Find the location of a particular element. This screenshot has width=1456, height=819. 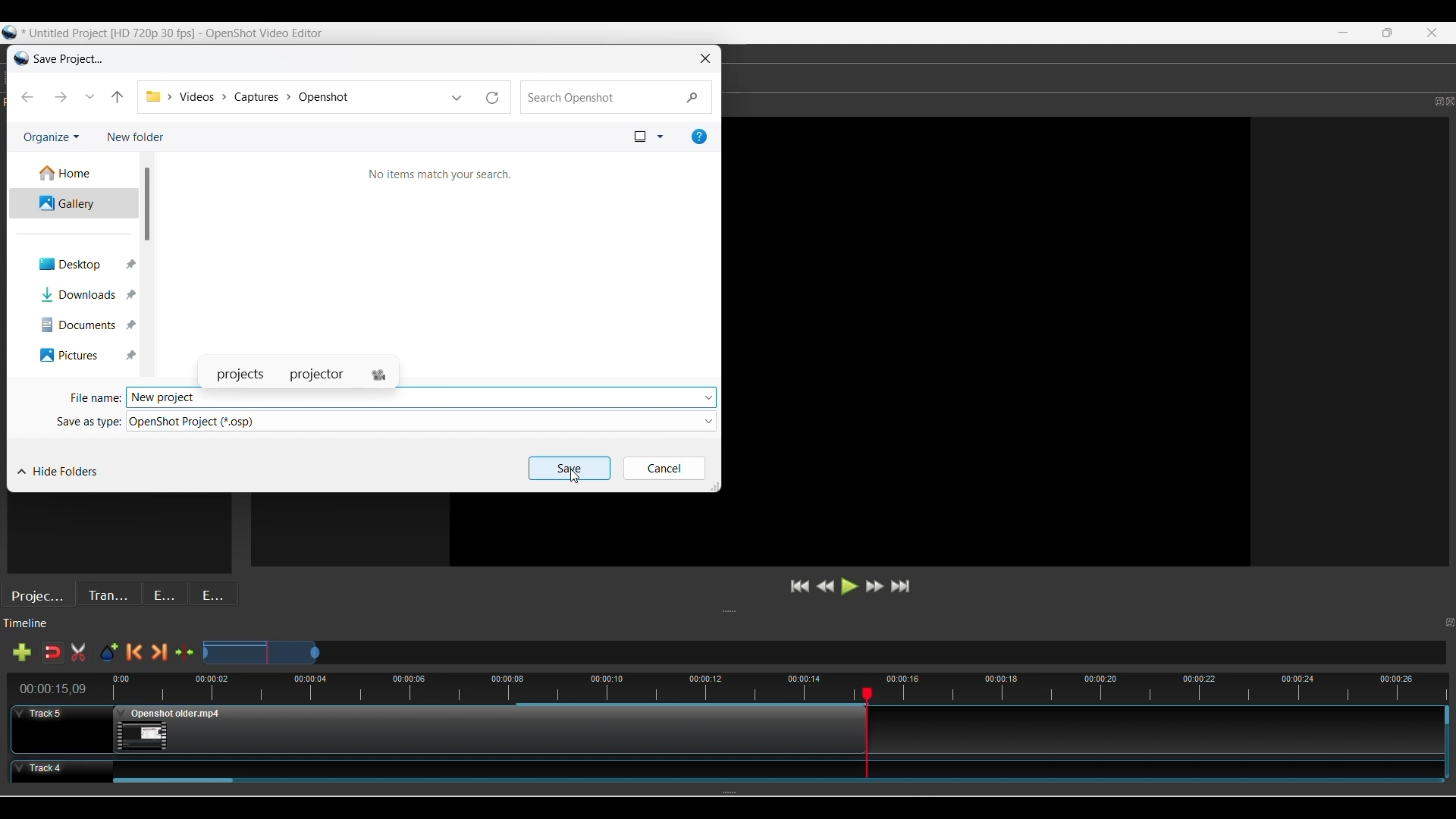

Emojis is located at coordinates (213, 593).